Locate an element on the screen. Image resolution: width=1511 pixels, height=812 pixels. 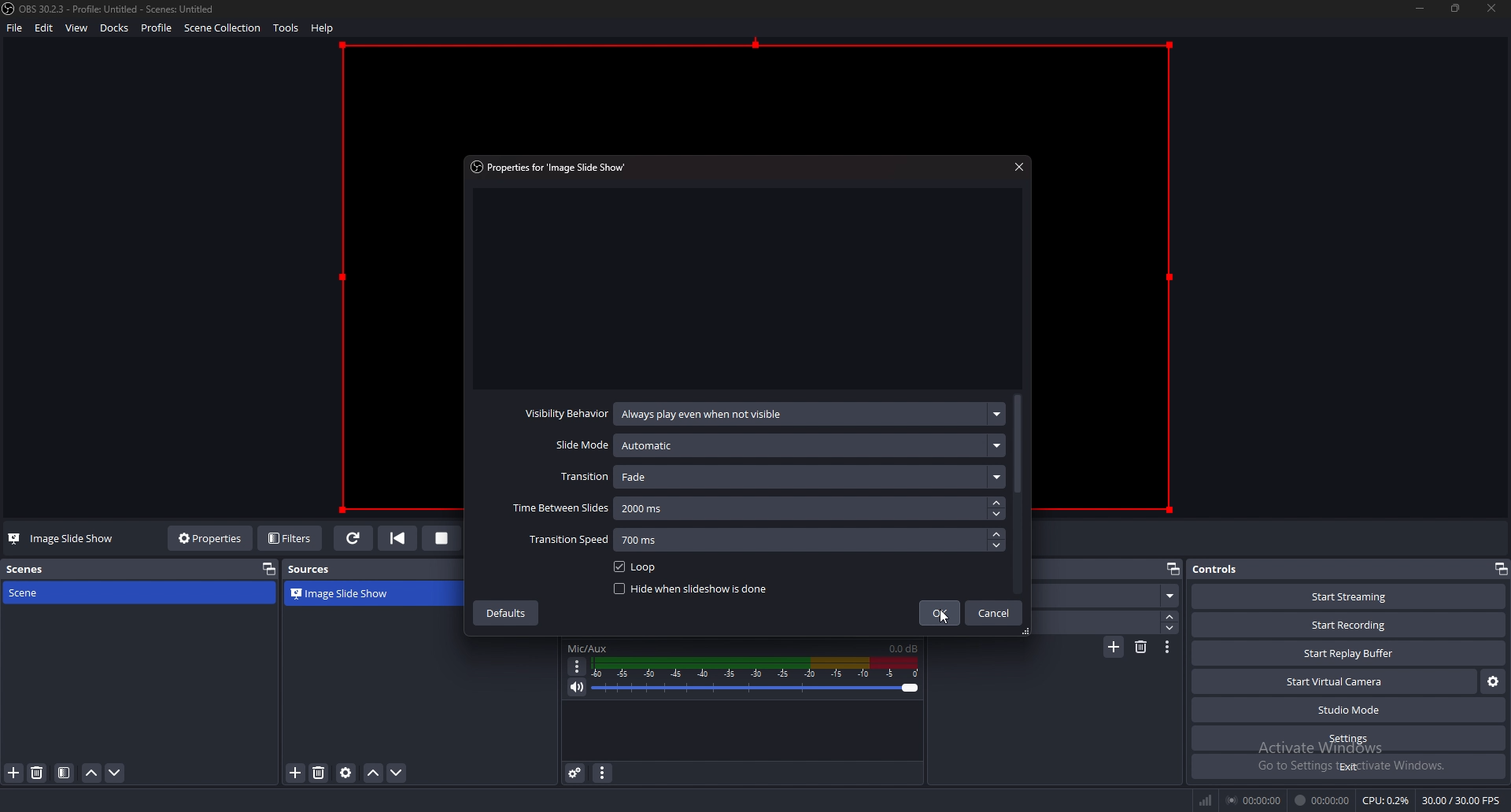
slide mode is located at coordinates (775, 446).